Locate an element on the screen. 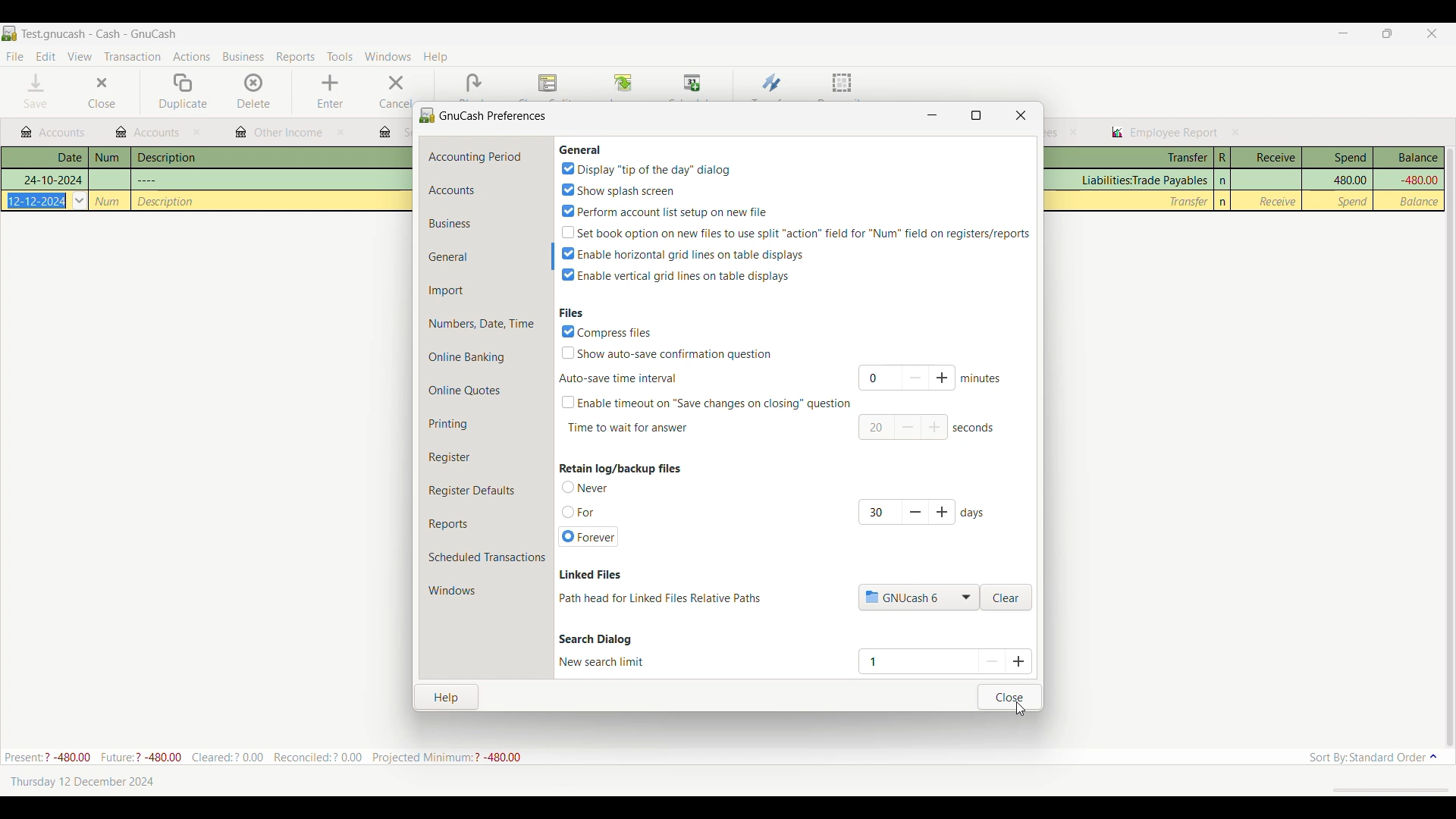 This screenshot has height=819, width=1456. show is located at coordinates (617, 189).